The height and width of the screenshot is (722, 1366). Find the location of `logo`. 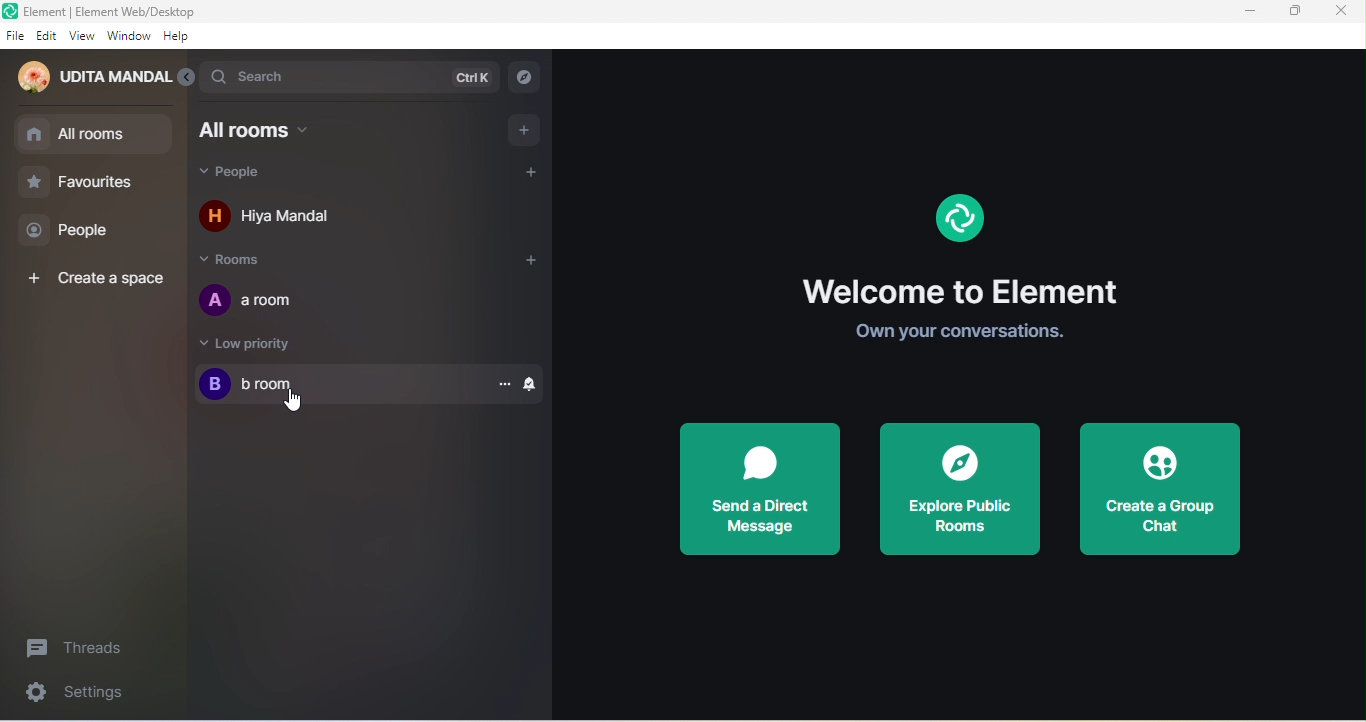

logo is located at coordinates (958, 220).